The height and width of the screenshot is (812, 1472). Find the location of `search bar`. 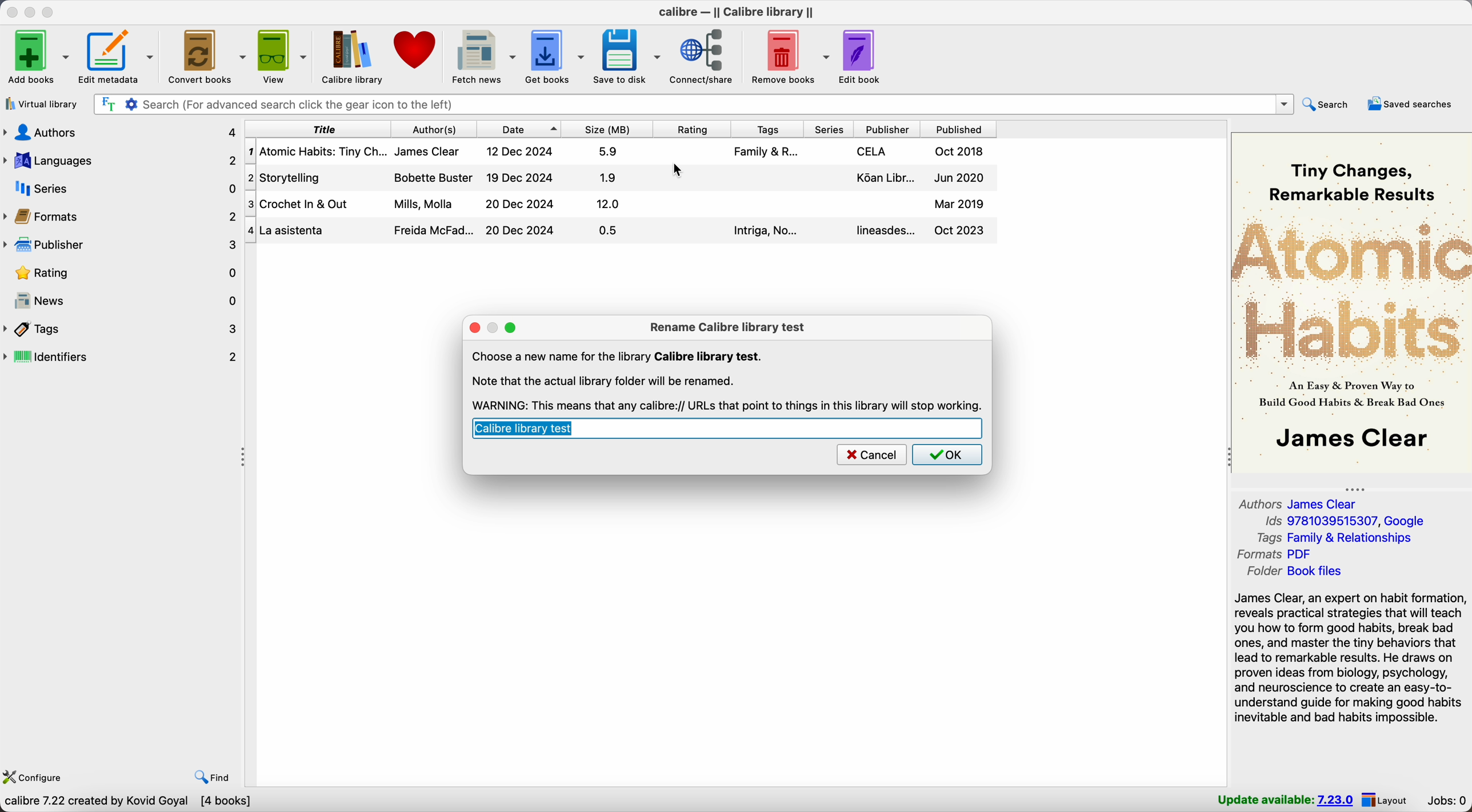

search bar is located at coordinates (693, 103).